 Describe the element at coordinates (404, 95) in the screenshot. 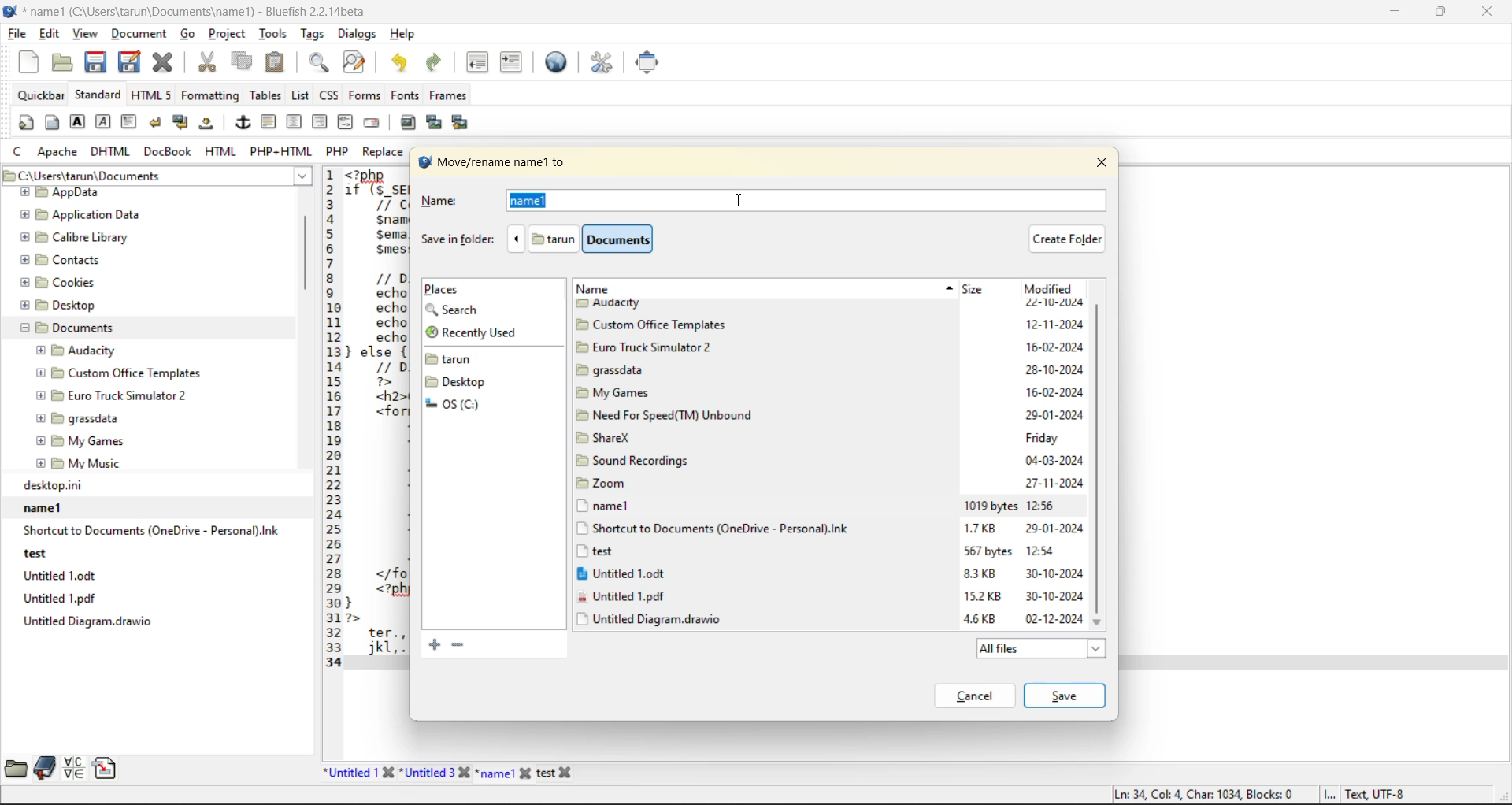

I see `fonts ` at that location.